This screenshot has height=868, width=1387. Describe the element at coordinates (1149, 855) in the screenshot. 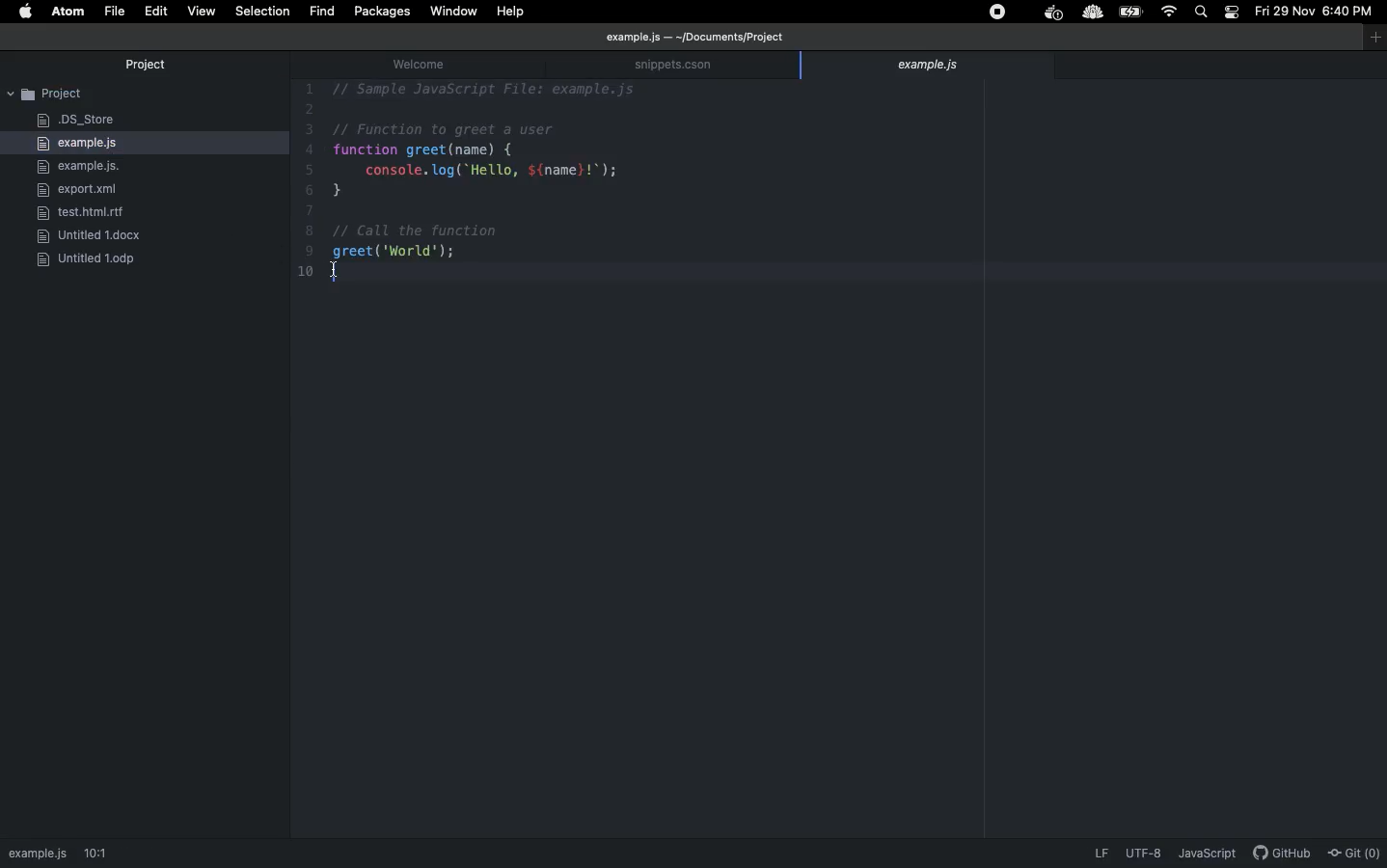

I see `description` at that location.